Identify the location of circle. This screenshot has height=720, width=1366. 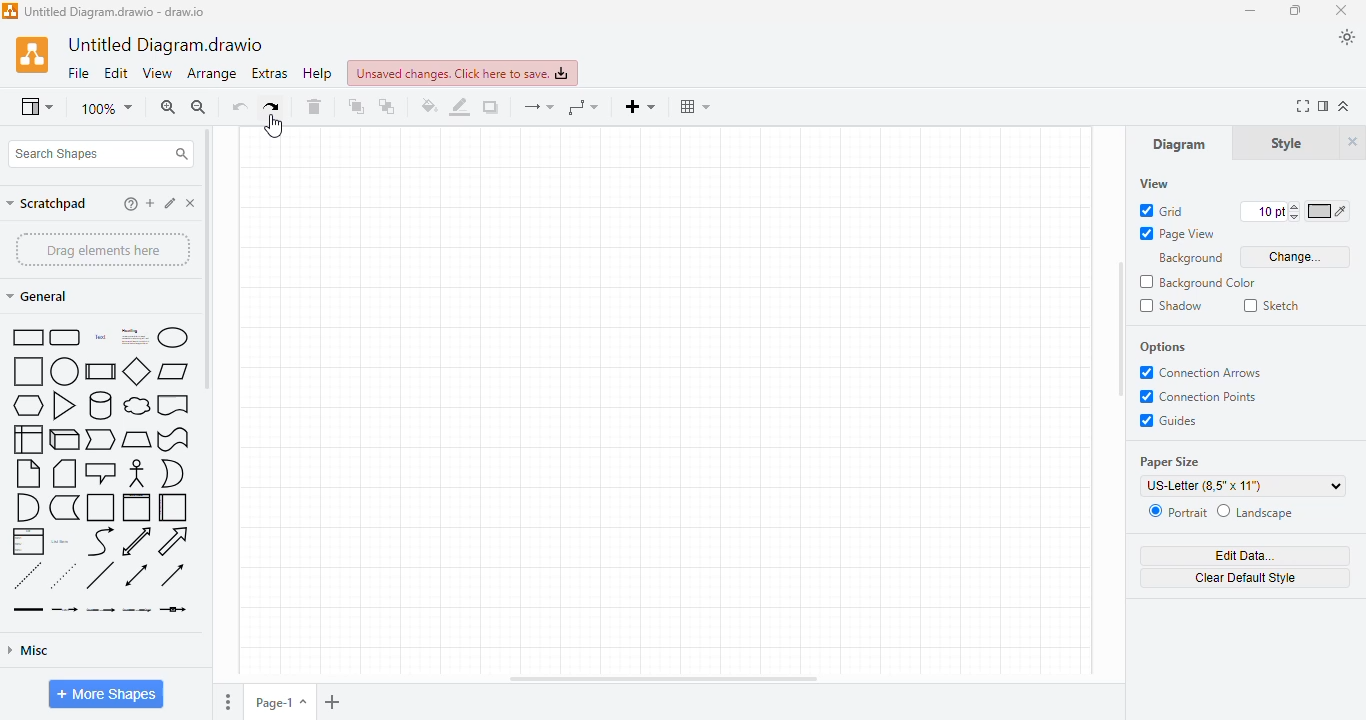
(64, 371).